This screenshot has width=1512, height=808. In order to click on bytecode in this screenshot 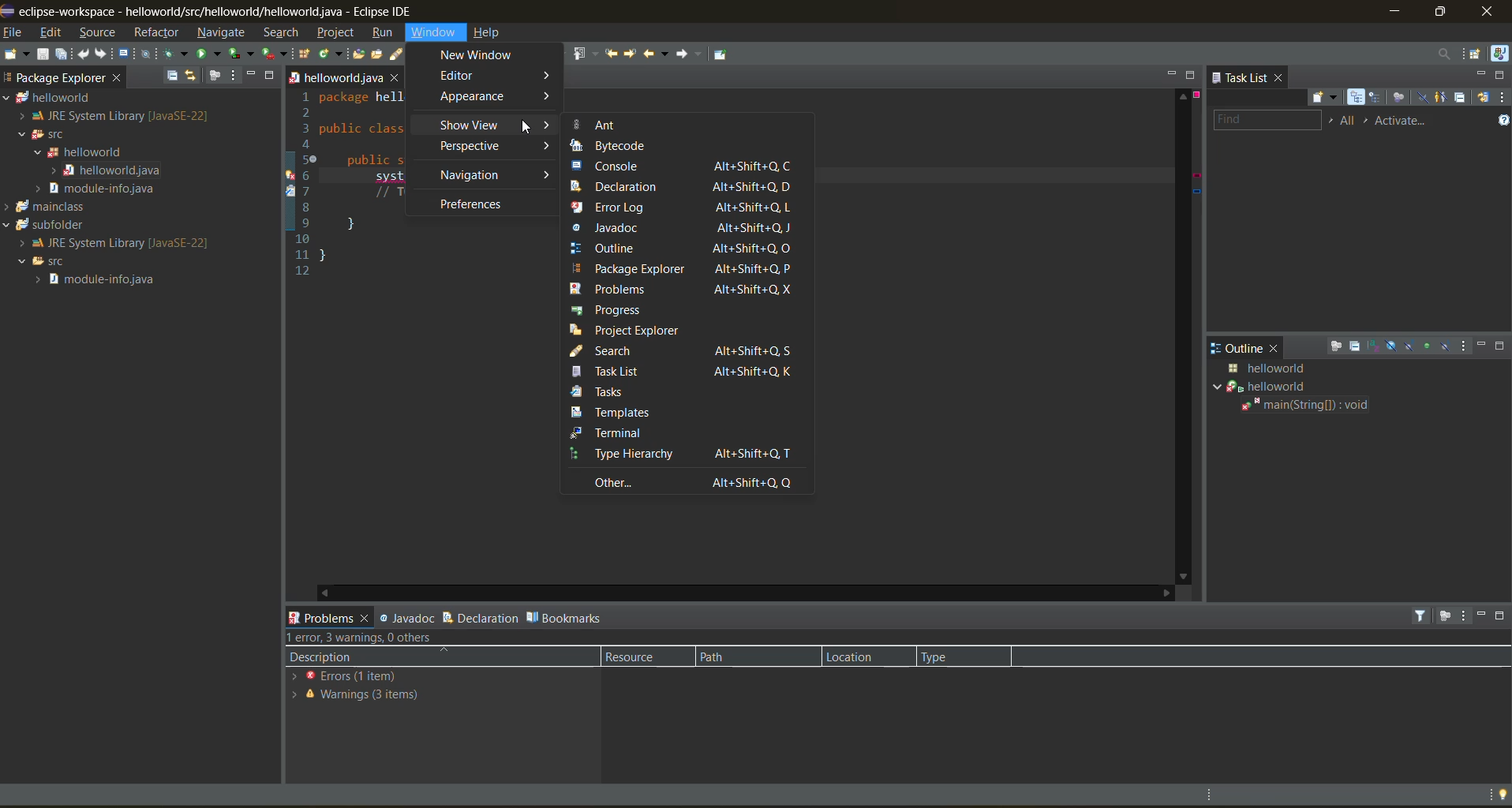, I will do `click(620, 146)`.